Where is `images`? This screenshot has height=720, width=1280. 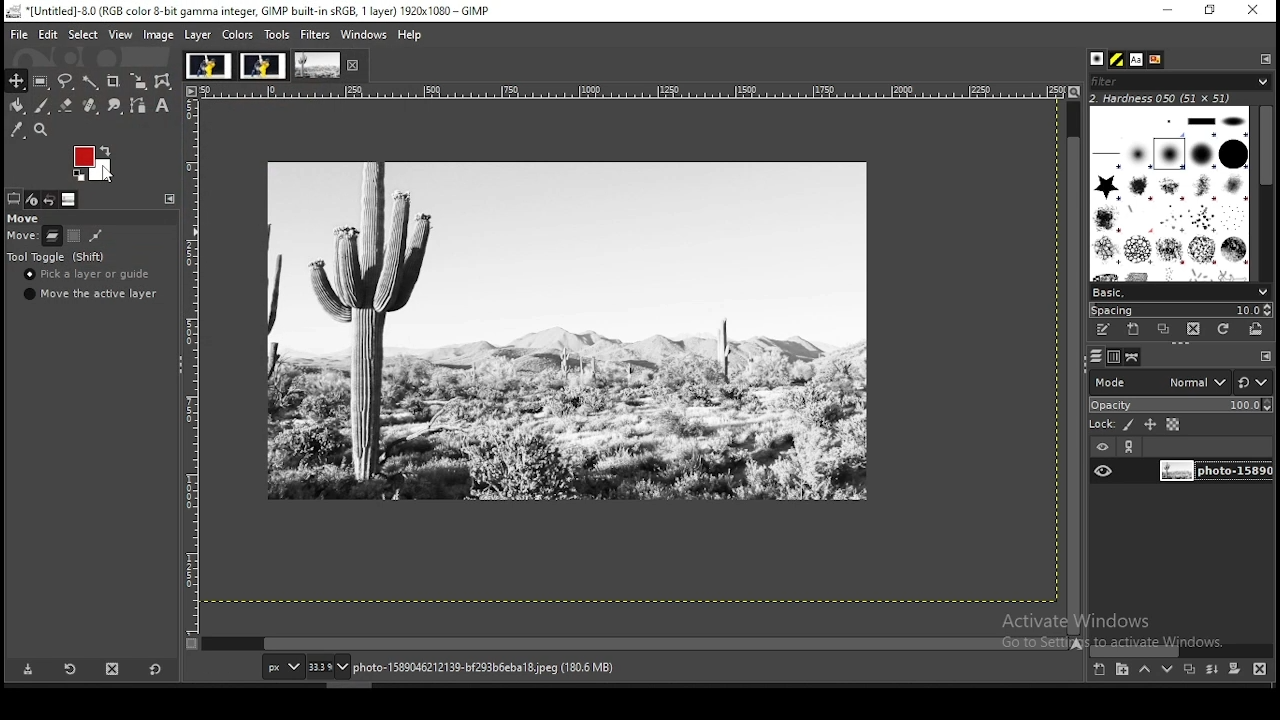 images is located at coordinates (70, 200).